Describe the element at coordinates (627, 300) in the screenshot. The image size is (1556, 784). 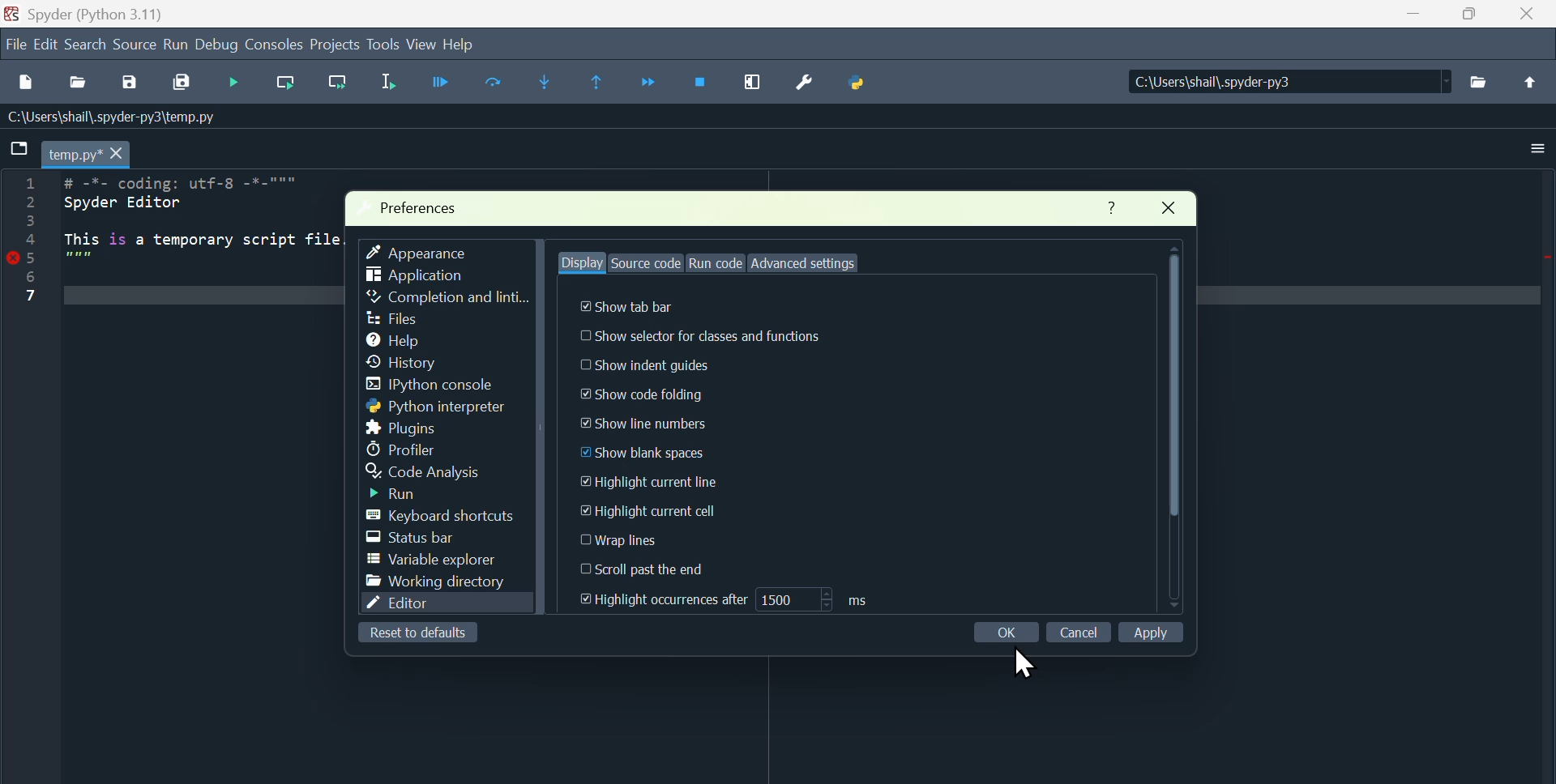
I see `Show tab  bar` at that location.